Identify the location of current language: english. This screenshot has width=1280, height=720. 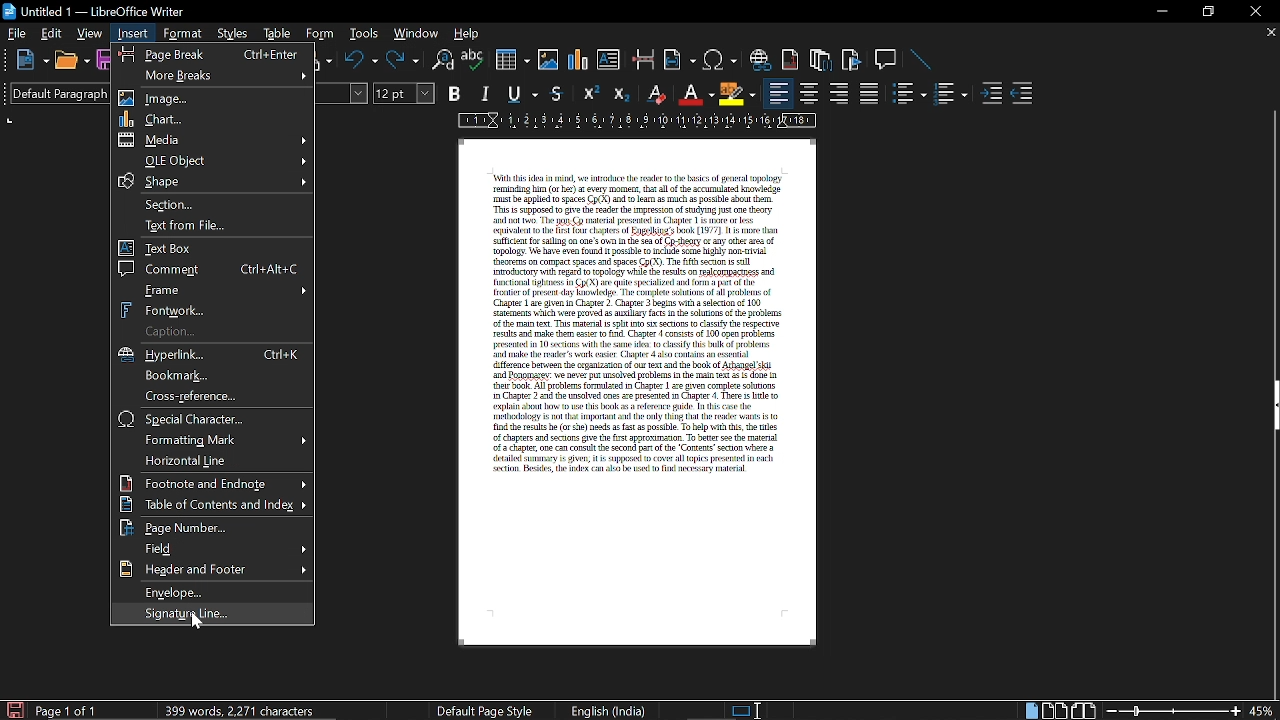
(606, 711).